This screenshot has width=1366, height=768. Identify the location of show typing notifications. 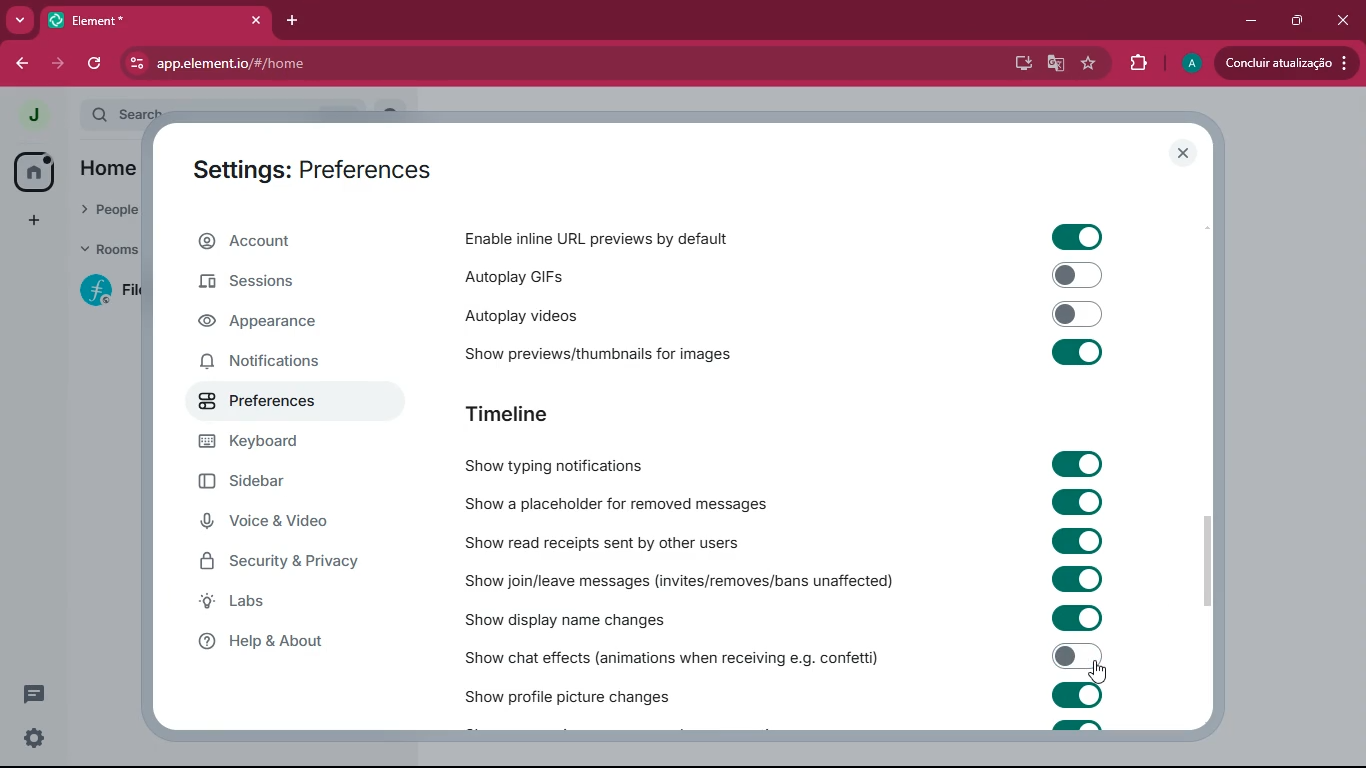
(570, 465).